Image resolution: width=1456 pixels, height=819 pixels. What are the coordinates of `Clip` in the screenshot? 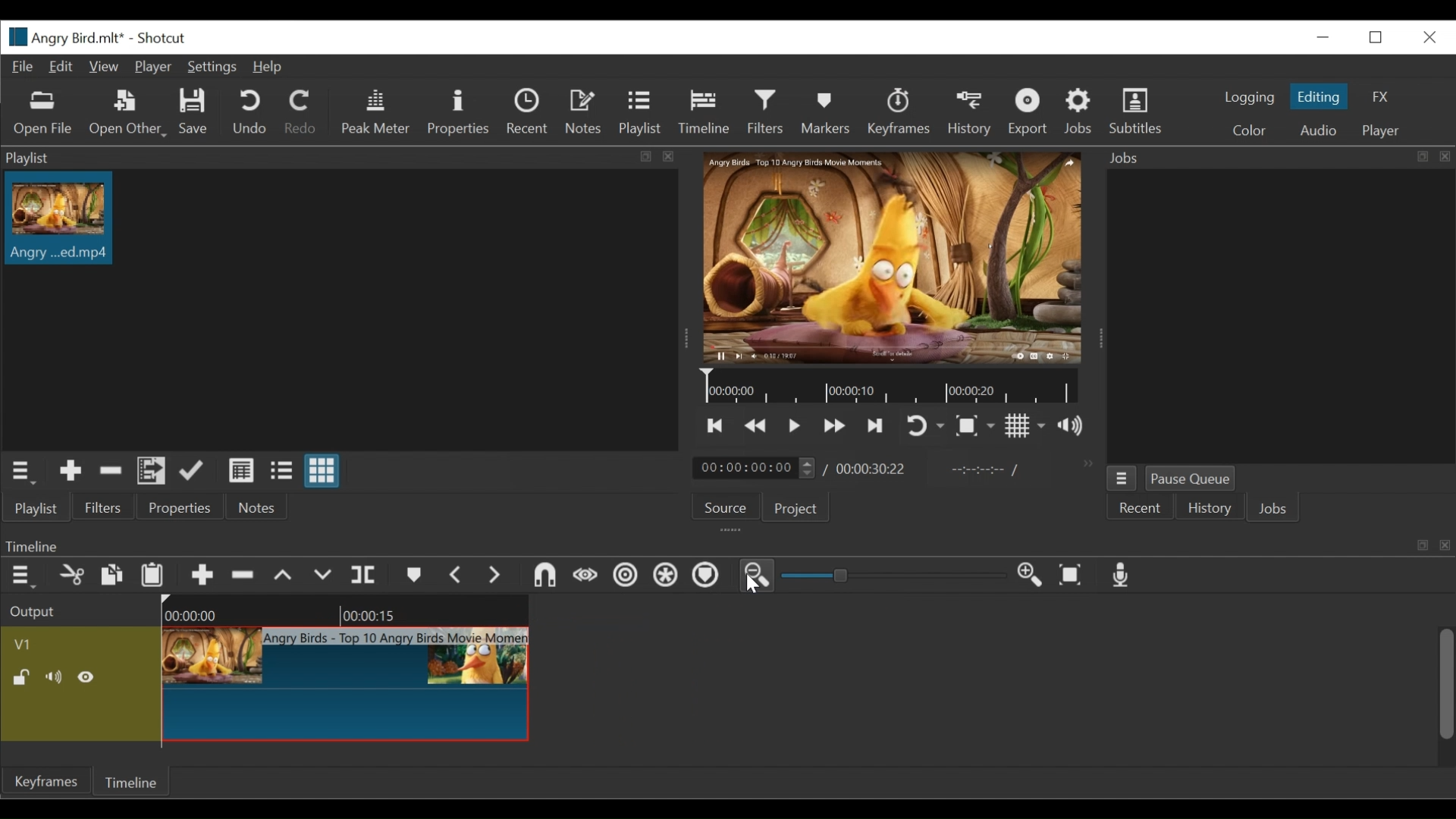 It's located at (30, 620).